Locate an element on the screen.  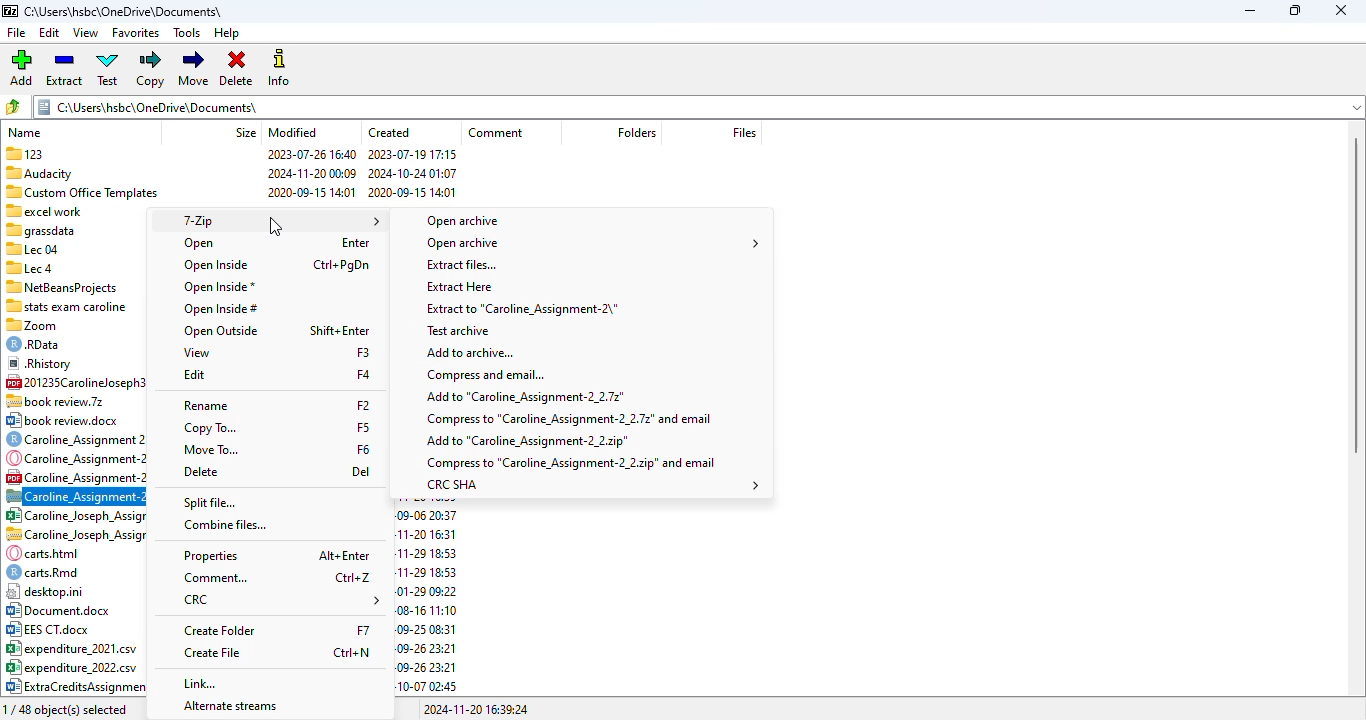
25 book review.7z 10065 2024-11-20 15:49 2024-11-20 15:49 is located at coordinates (76, 400).